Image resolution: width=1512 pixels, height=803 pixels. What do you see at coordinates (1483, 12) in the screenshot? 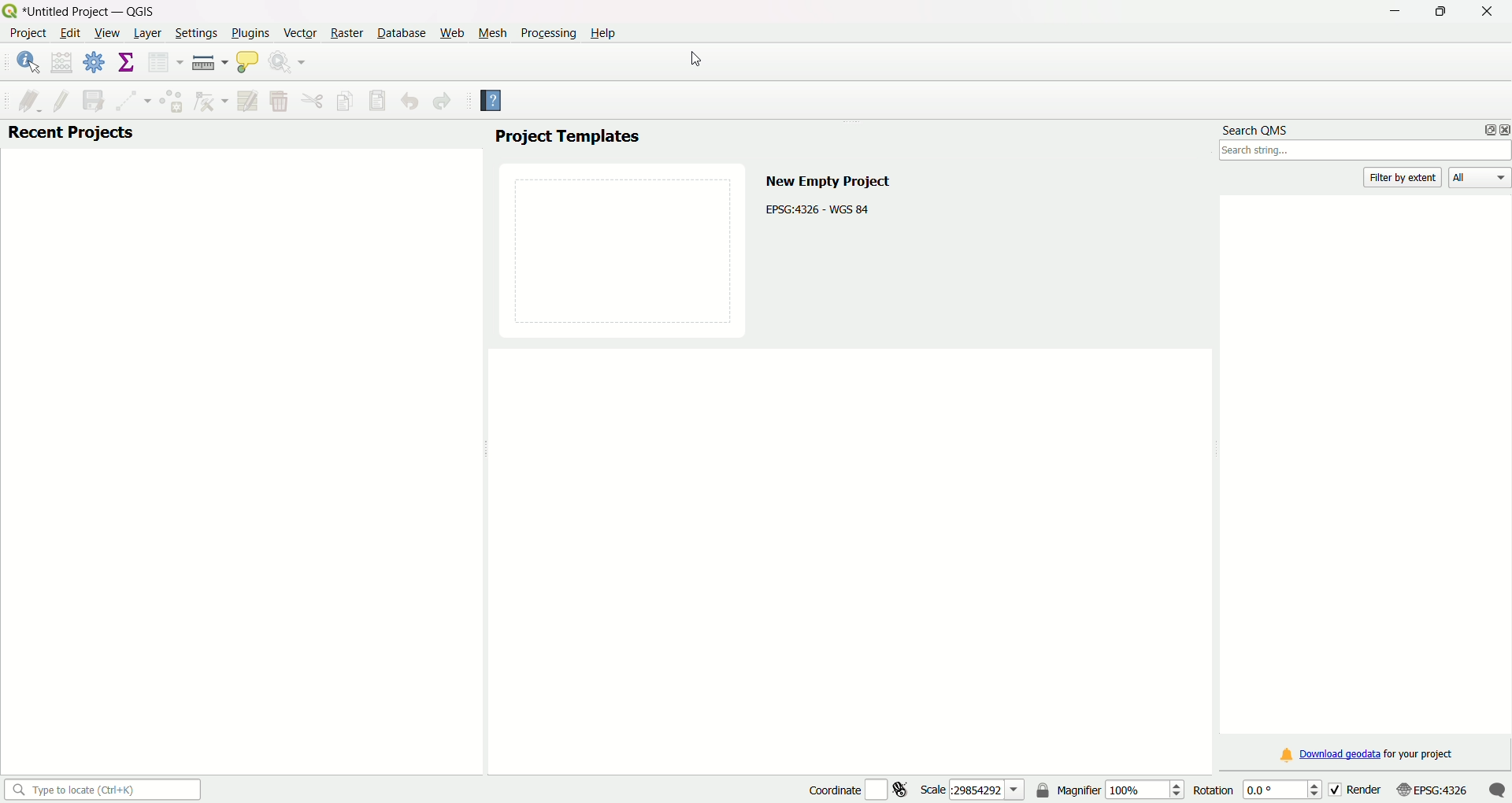
I see `Close` at bounding box center [1483, 12].